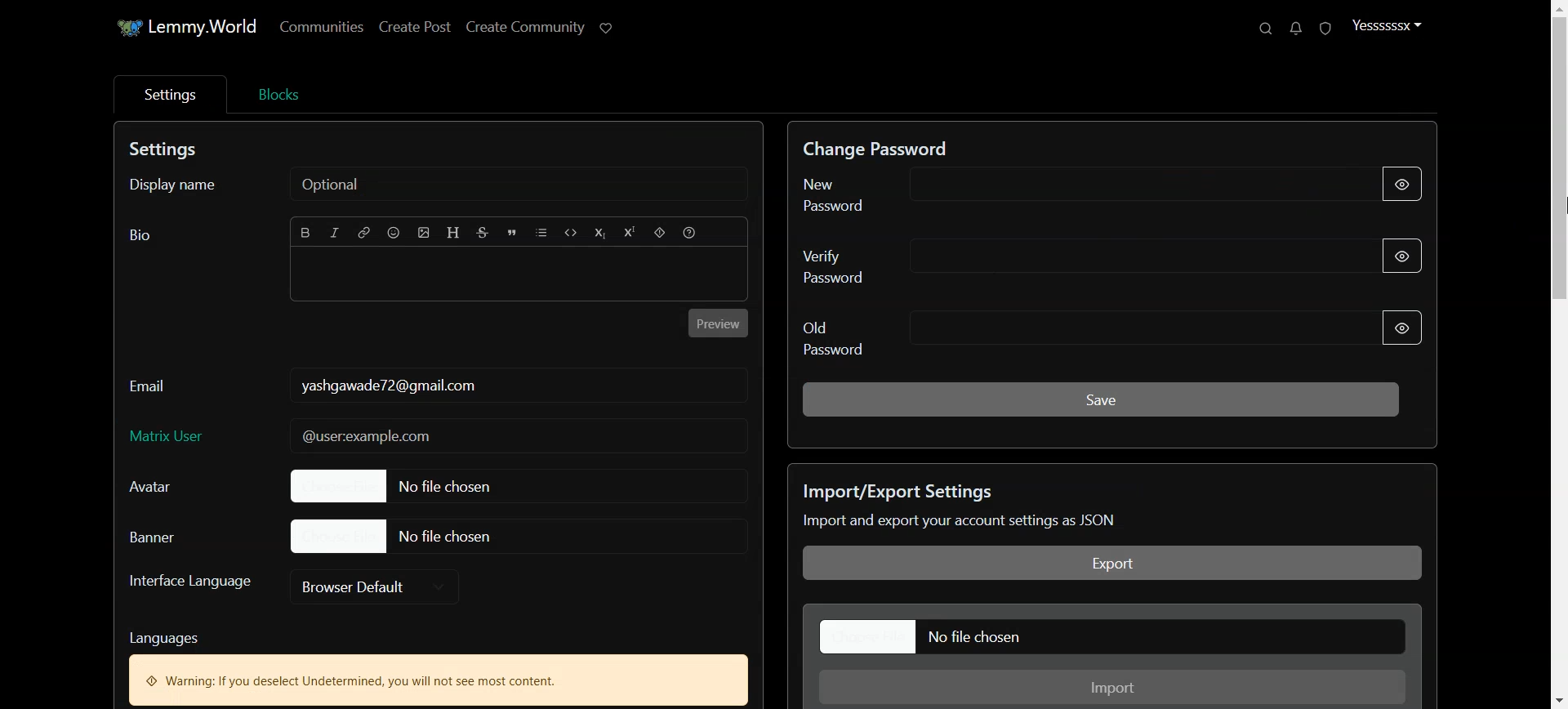 The width and height of the screenshot is (1568, 709). I want to click on Support Lemmy, so click(608, 28).